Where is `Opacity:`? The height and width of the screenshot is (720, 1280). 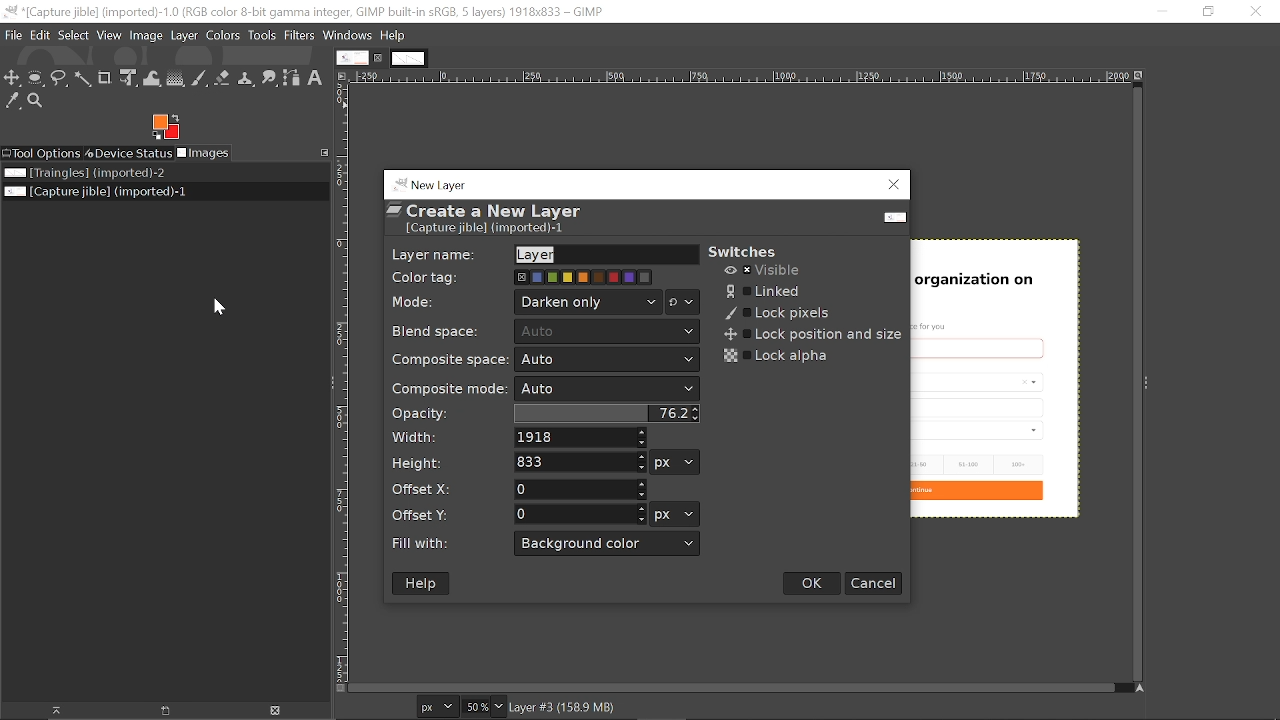 Opacity: is located at coordinates (424, 413).